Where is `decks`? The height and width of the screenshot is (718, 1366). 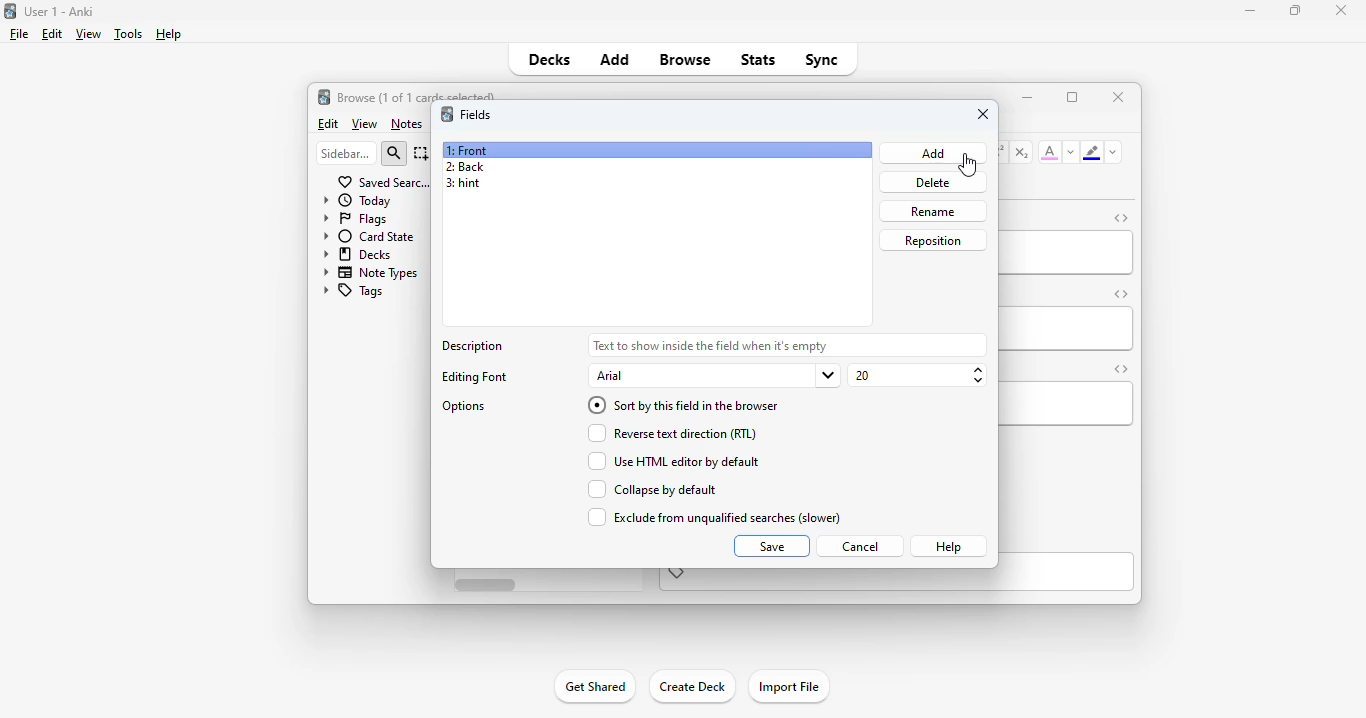 decks is located at coordinates (550, 59).